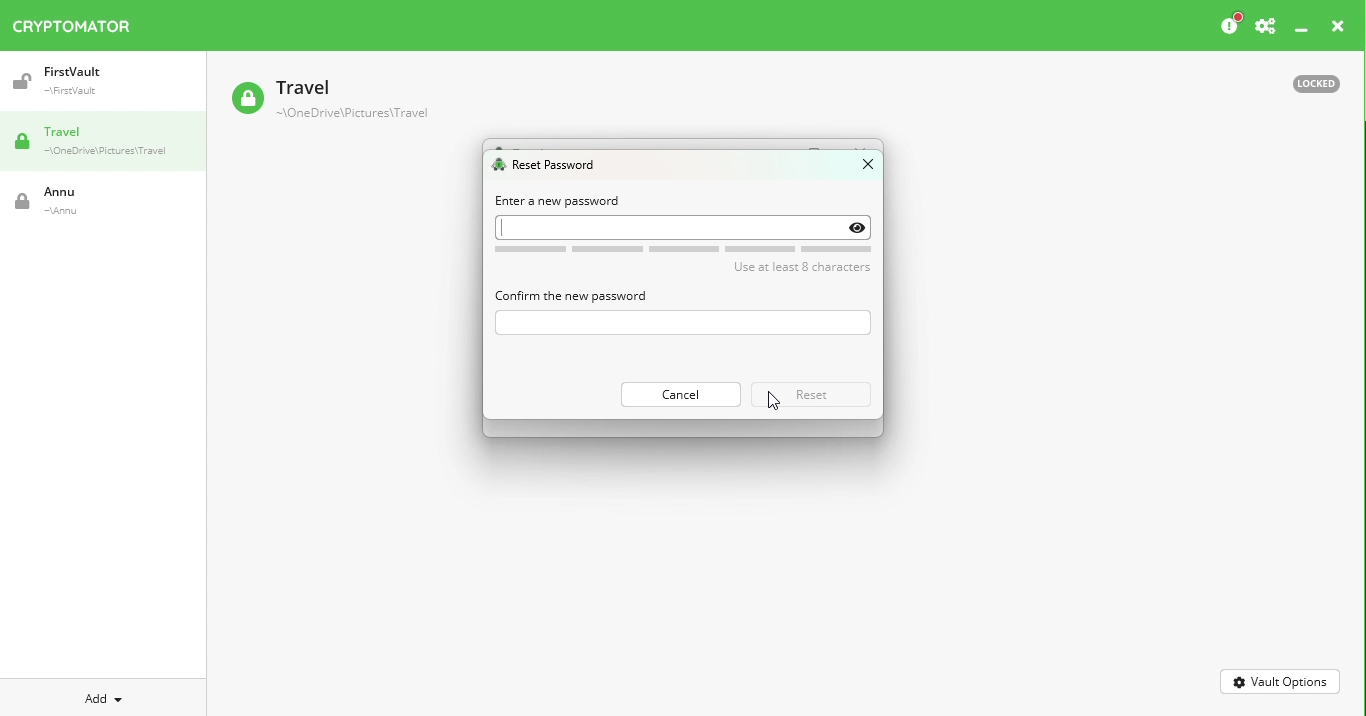 The image size is (1366, 716). Describe the element at coordinates (679, 394) in the screenshot. I see `Cancel` at that location.